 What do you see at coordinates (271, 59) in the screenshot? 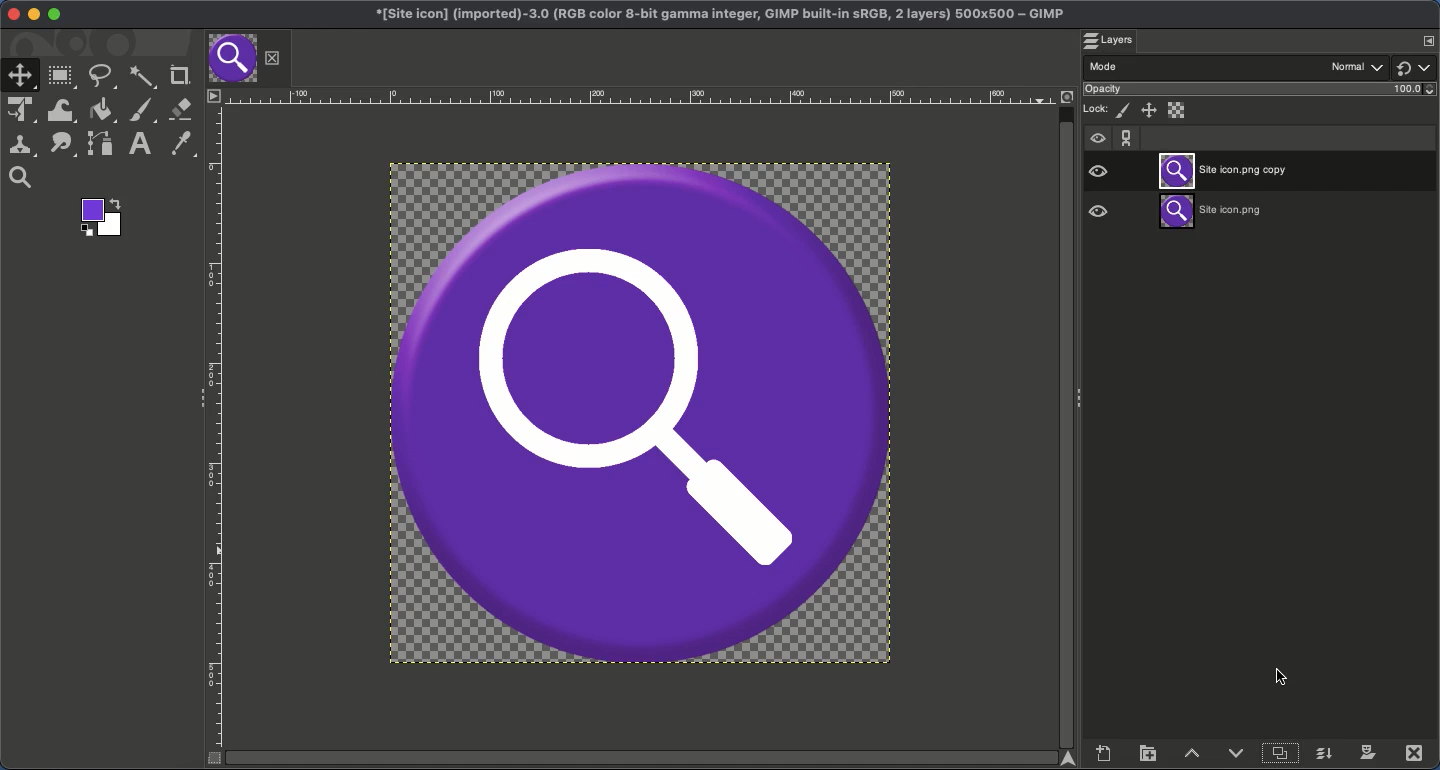
I see `Close` at bounding box center [271, 59].